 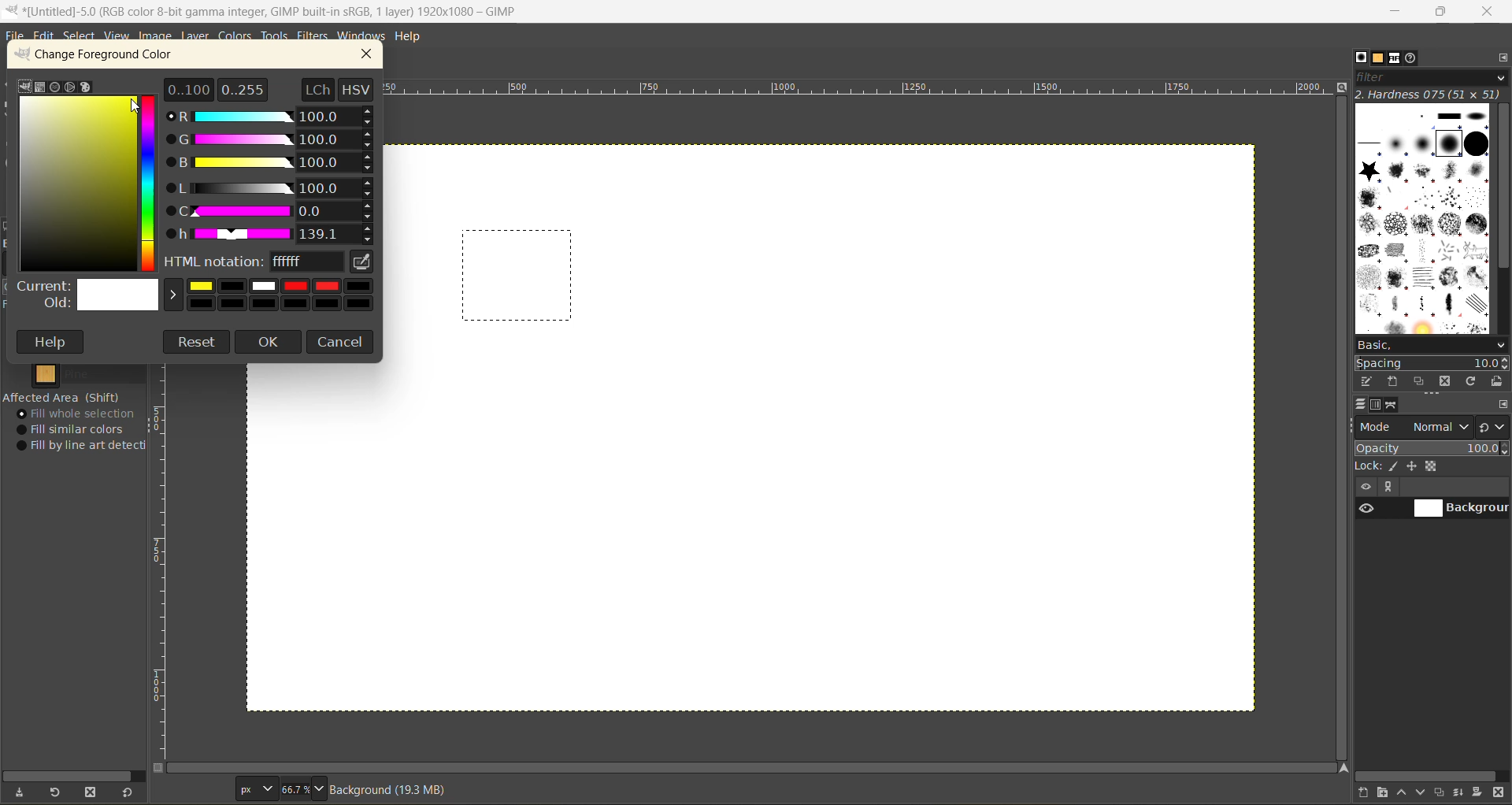 What do you see at coordinates (1470, 381) in the screenshot?
I see `refresh brushes` at bounding box center [1470, 381].